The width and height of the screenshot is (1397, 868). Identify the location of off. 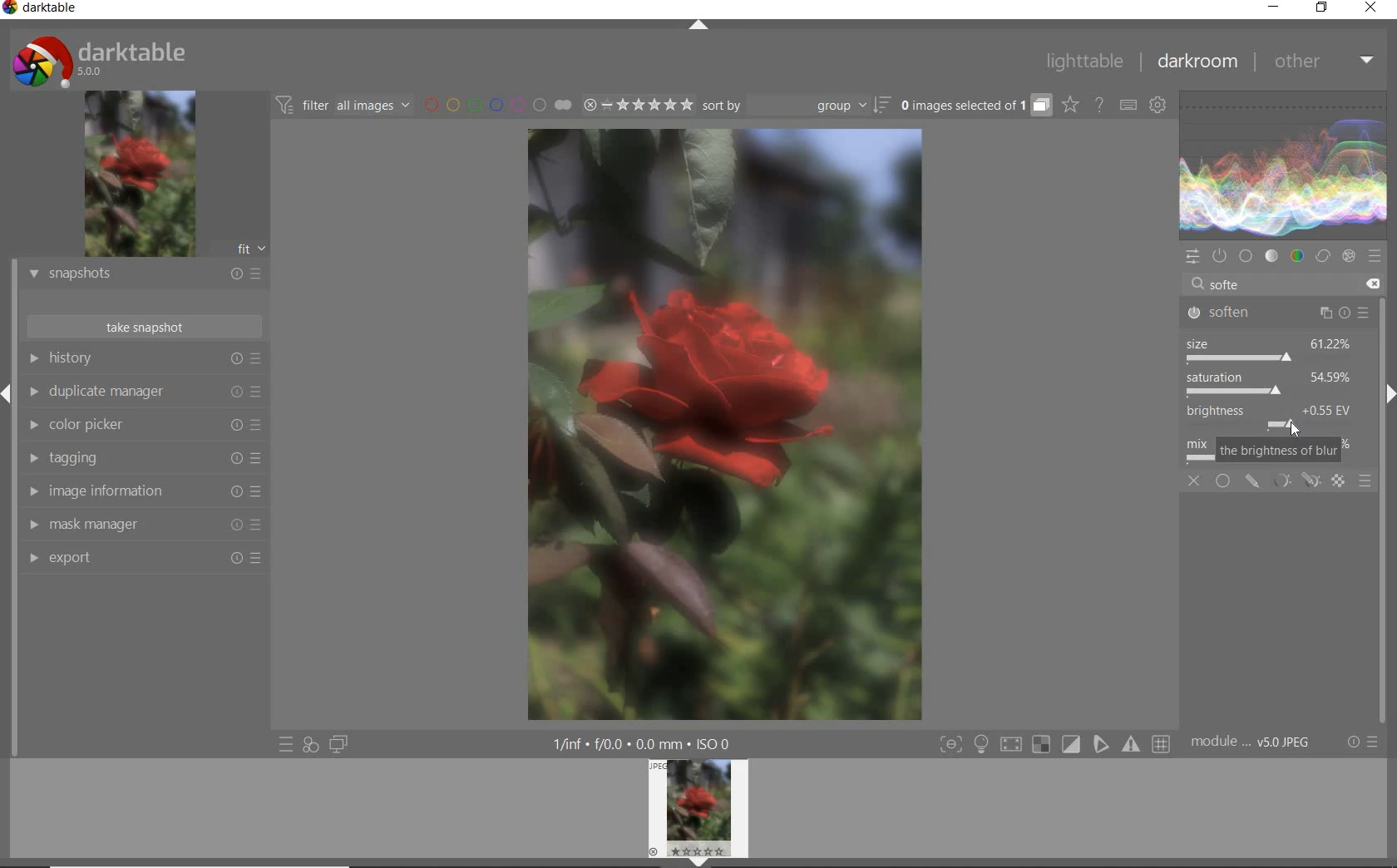
(1194, 481).